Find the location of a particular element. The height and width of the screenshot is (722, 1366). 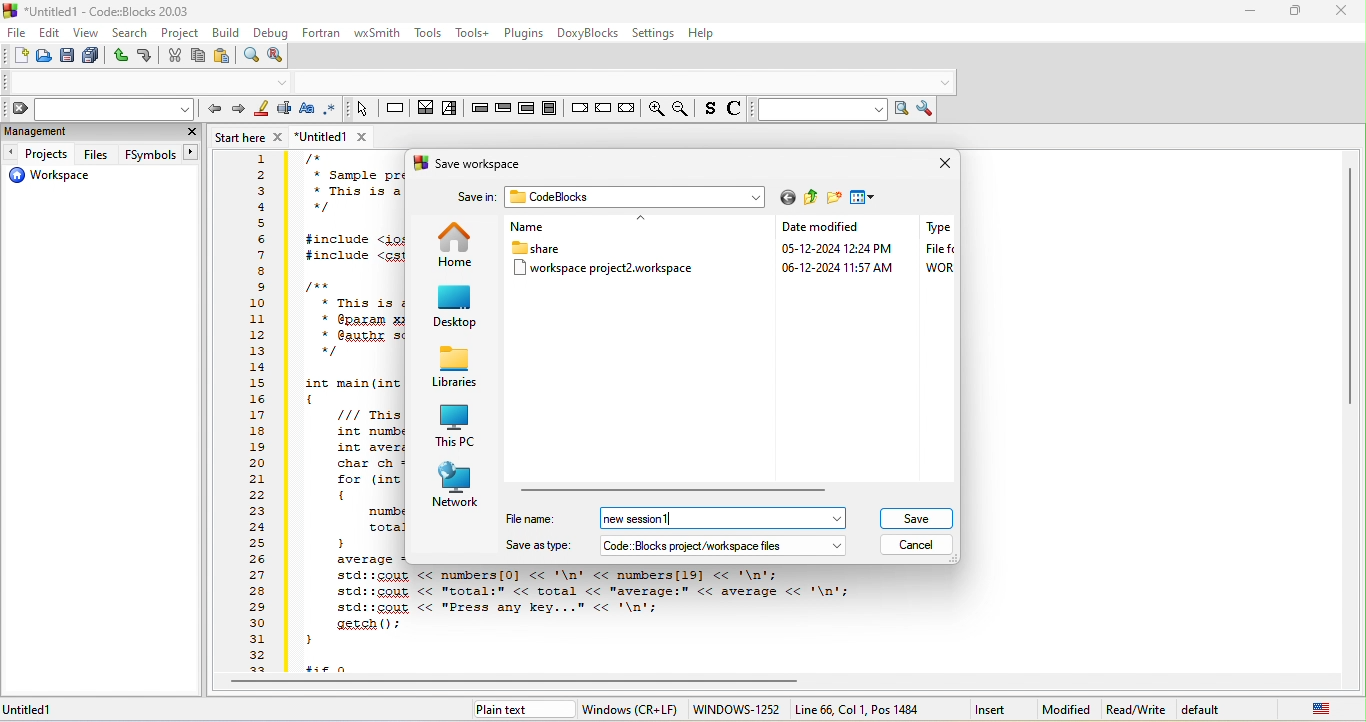

block is located at coordinates (549, 107).